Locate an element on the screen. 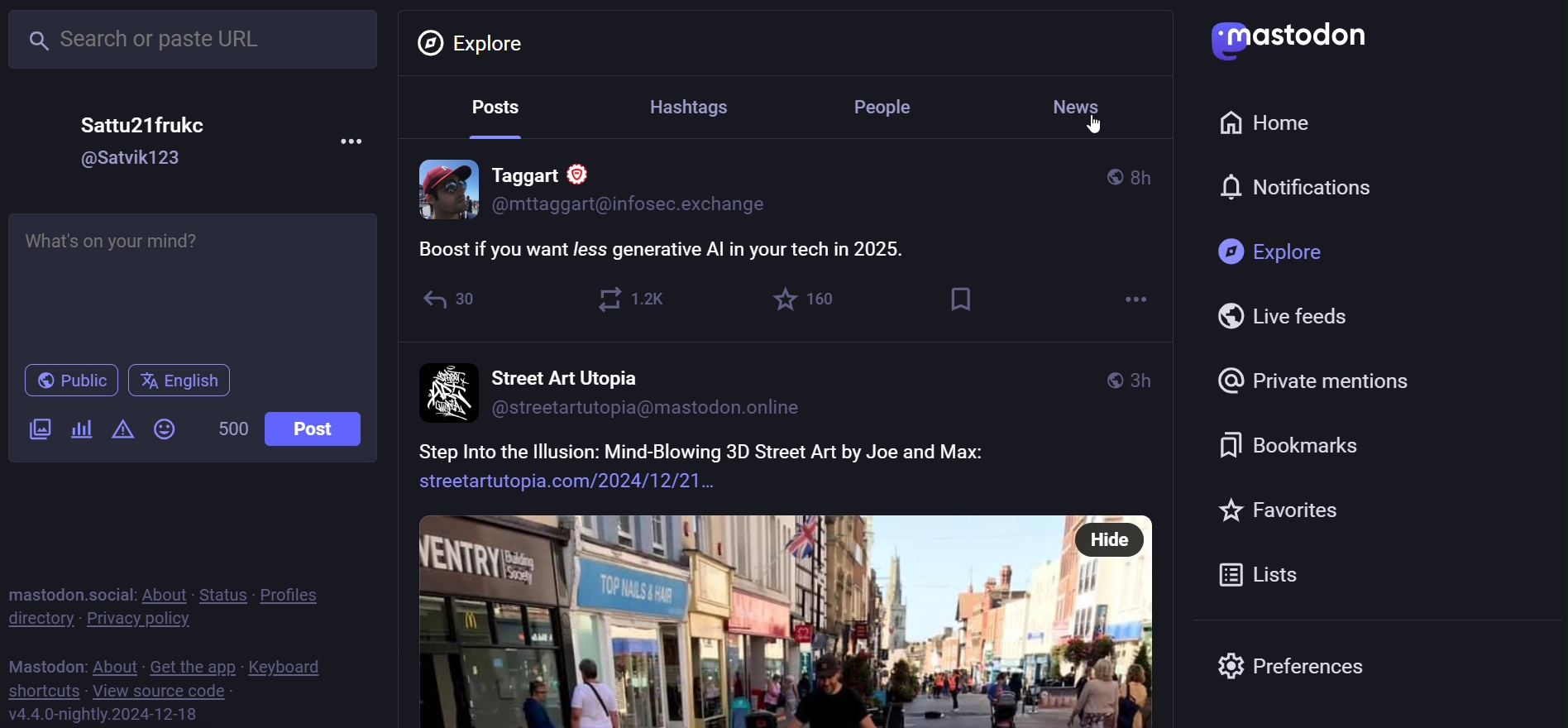 The width and height of the screenshot is (1568, 728). english is located at coordinates (181, 382).